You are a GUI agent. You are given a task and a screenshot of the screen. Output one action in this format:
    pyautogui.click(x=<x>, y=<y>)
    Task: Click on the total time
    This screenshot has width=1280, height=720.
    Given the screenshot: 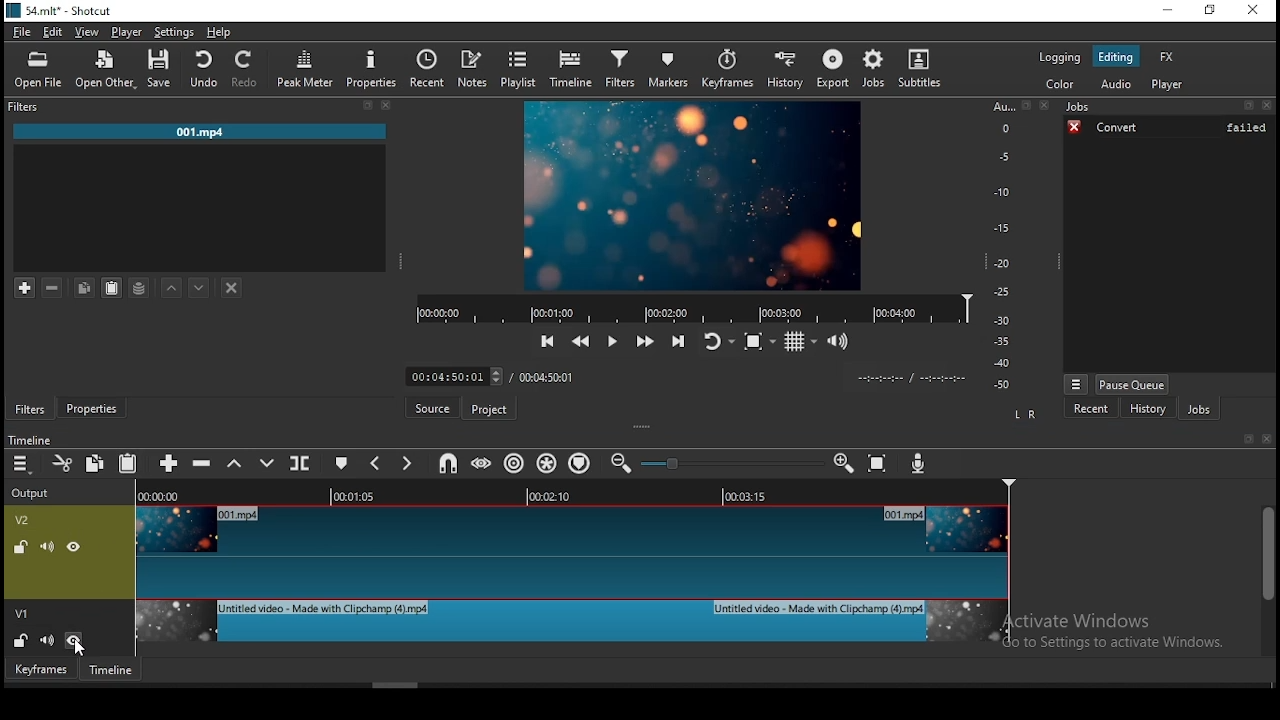 What is the action you would take?
    pyautogui.click(x=547, y=376)
    